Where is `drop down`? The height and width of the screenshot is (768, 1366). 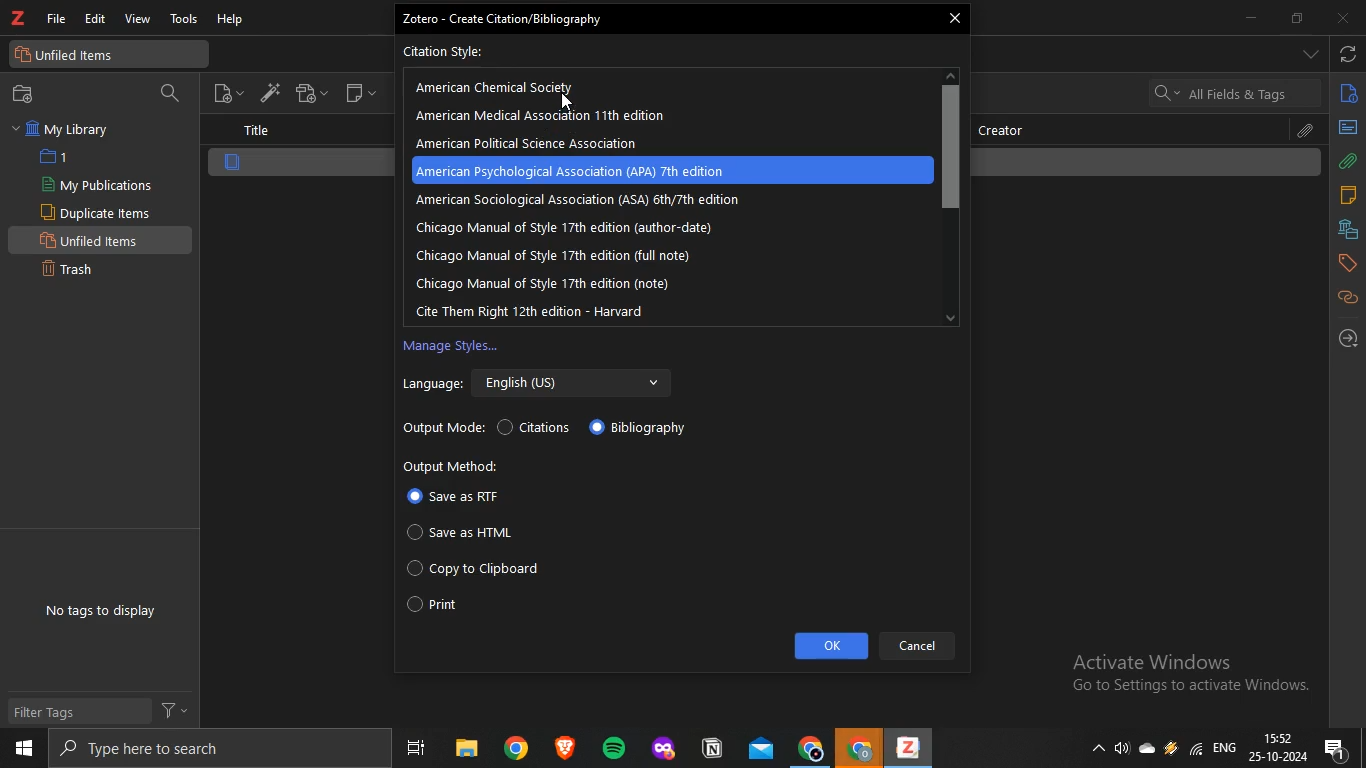 drop down is located at coordinates (1311, 54).